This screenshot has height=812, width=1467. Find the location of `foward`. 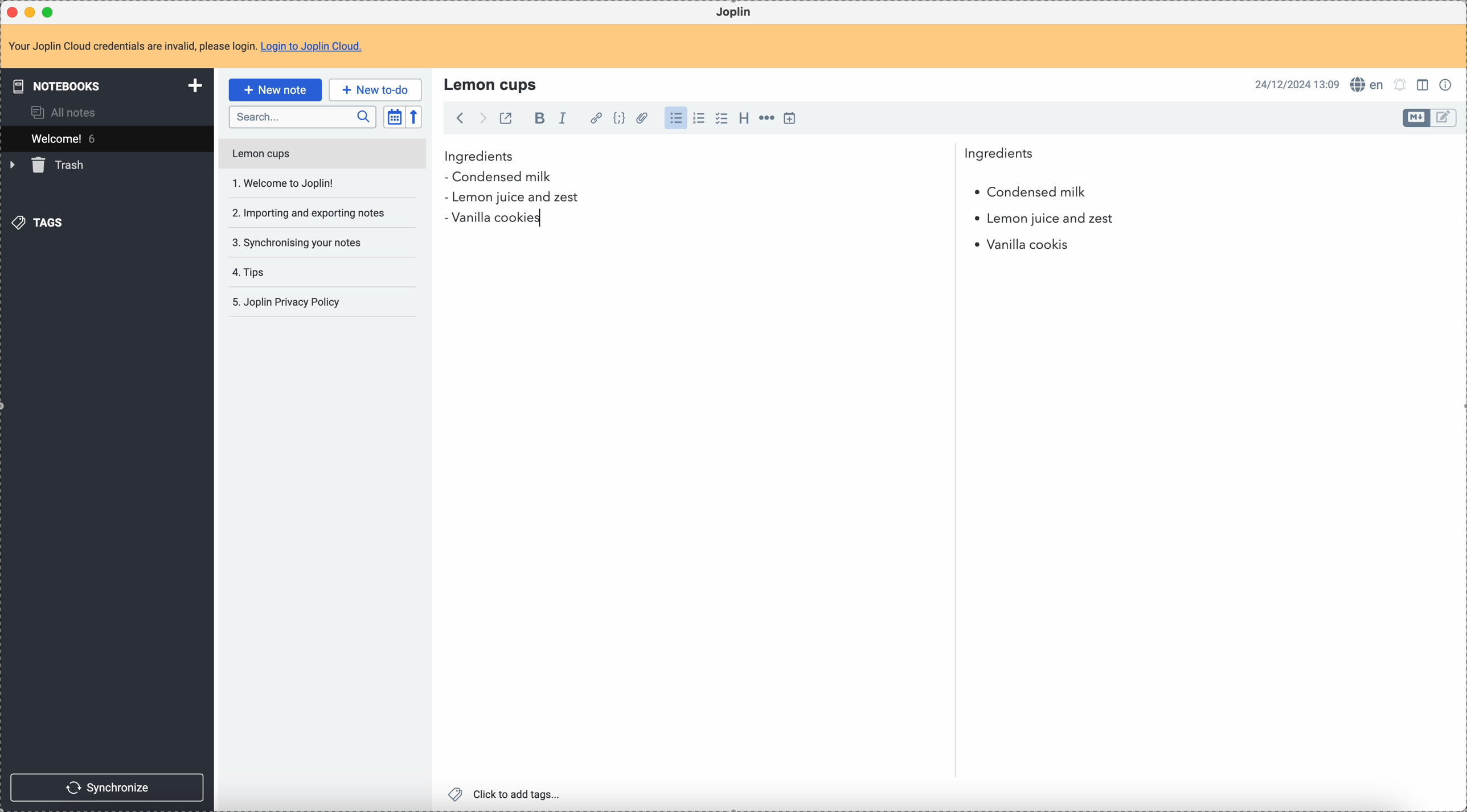

foward is located at coordinates (481, 118).